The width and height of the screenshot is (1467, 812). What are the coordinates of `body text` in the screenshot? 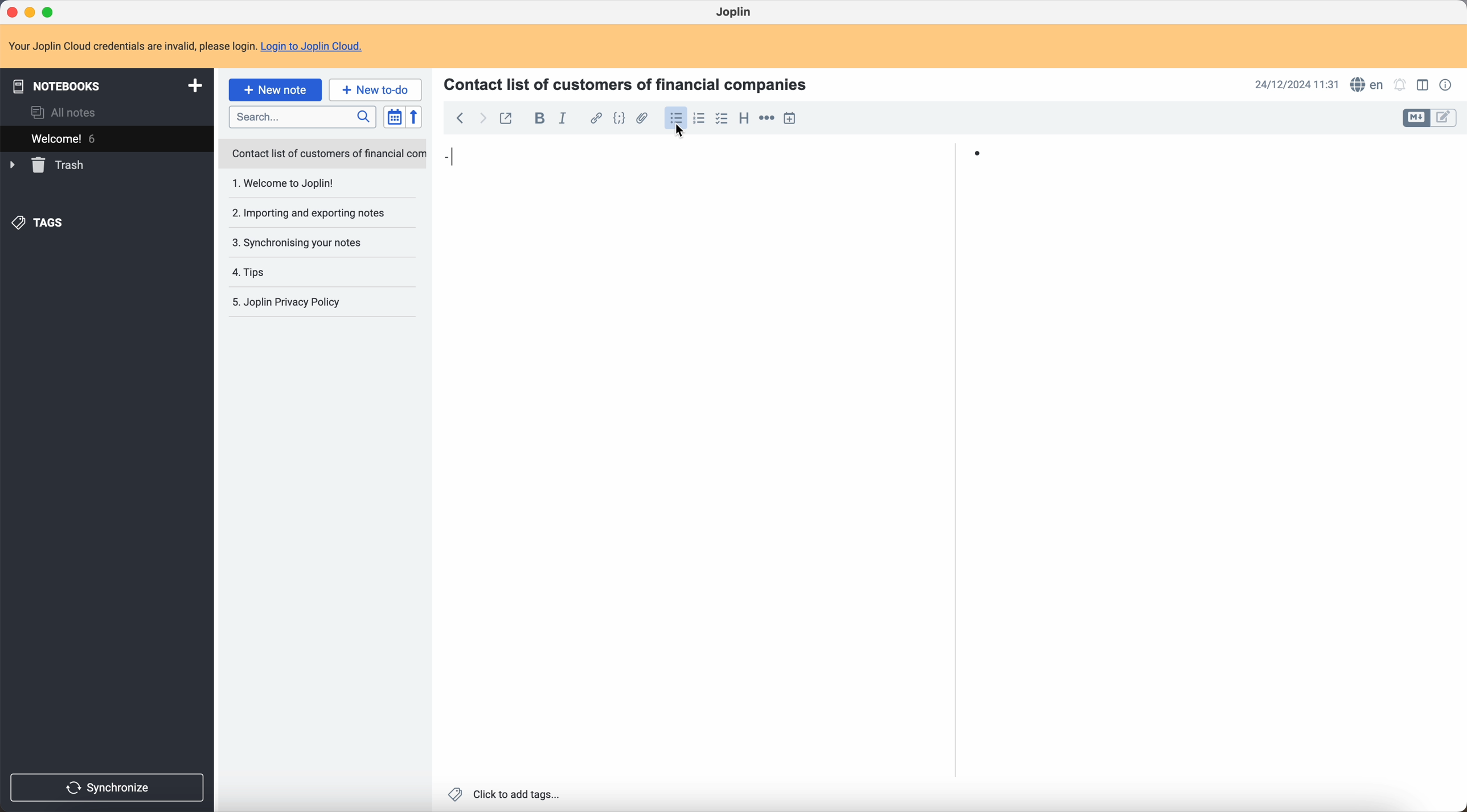 It's located at (702, 481).